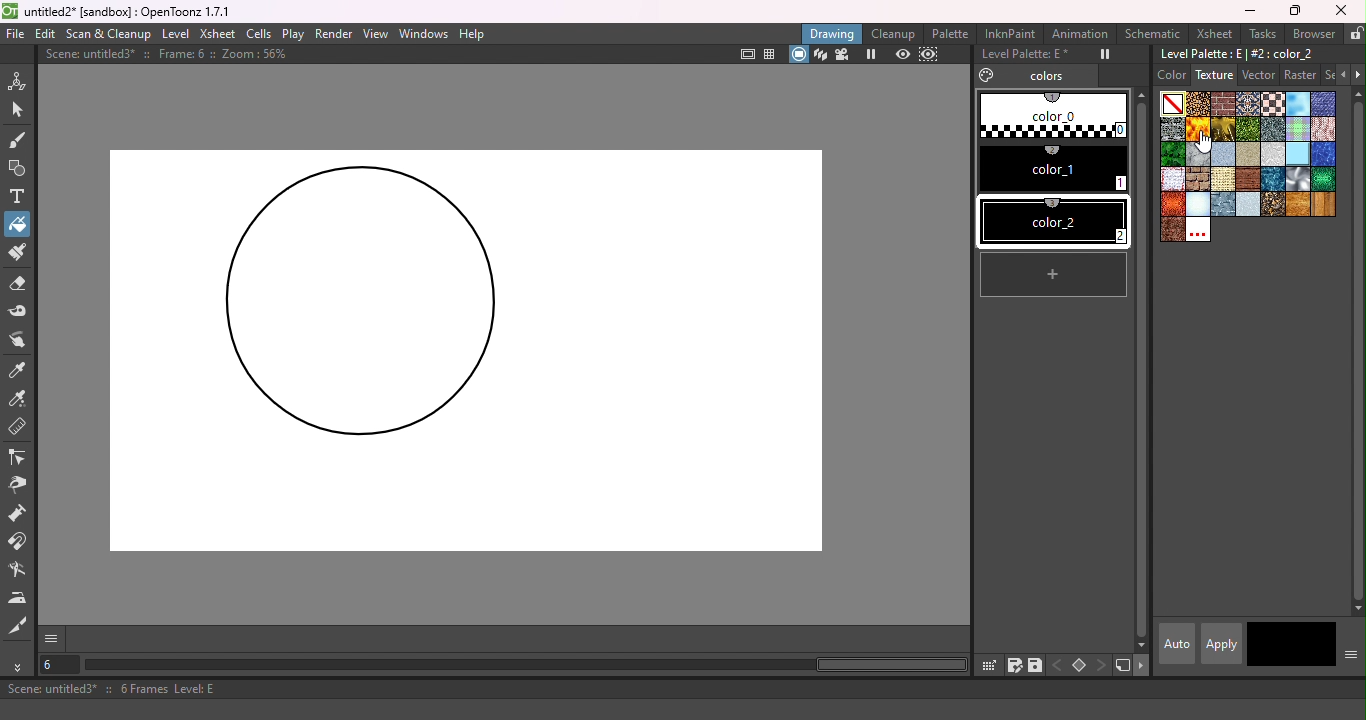 This screenshot has height=720, width=1366. I want to click on Canvas, so click(463, 349).